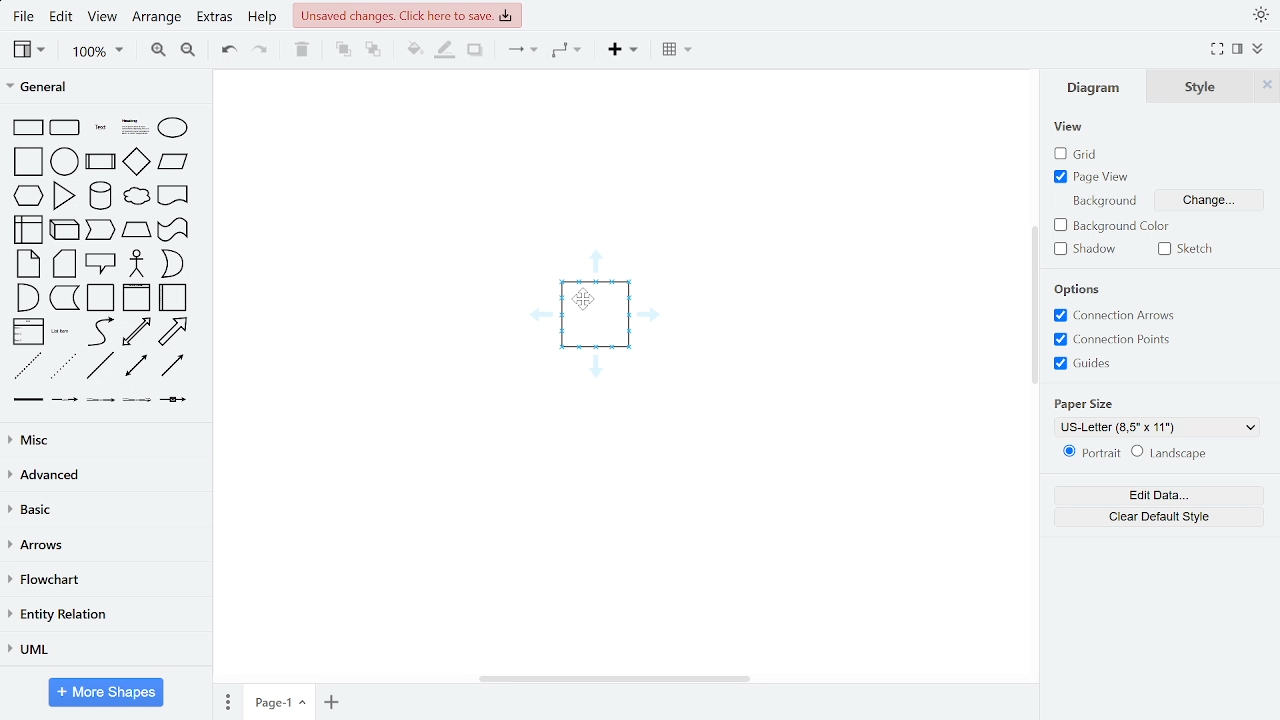 The height and width of the screenshot is (720, 1280). I want to click on zoom out, so click(188, 51).